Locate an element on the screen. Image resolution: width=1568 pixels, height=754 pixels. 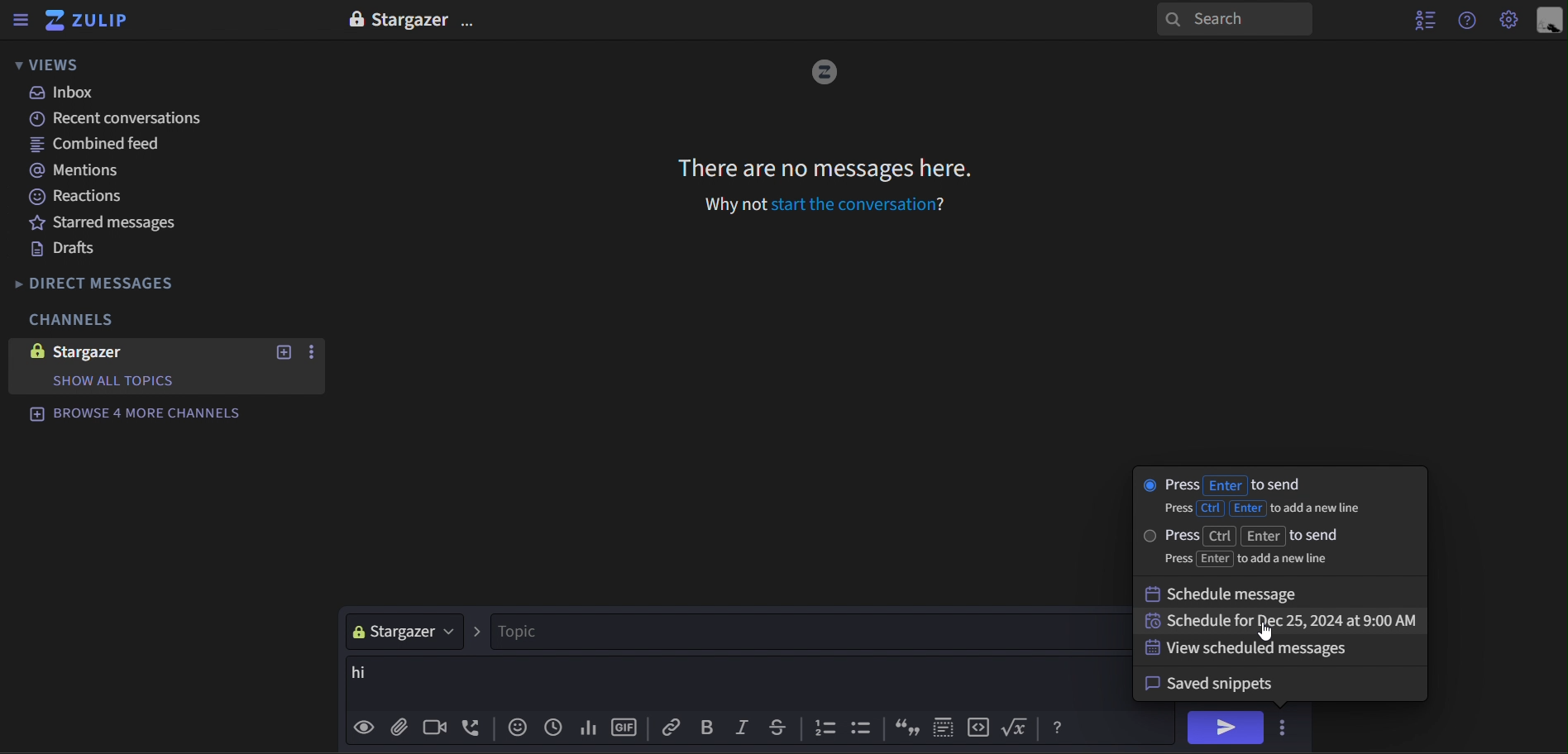
image is located at coordinates (825, 73).